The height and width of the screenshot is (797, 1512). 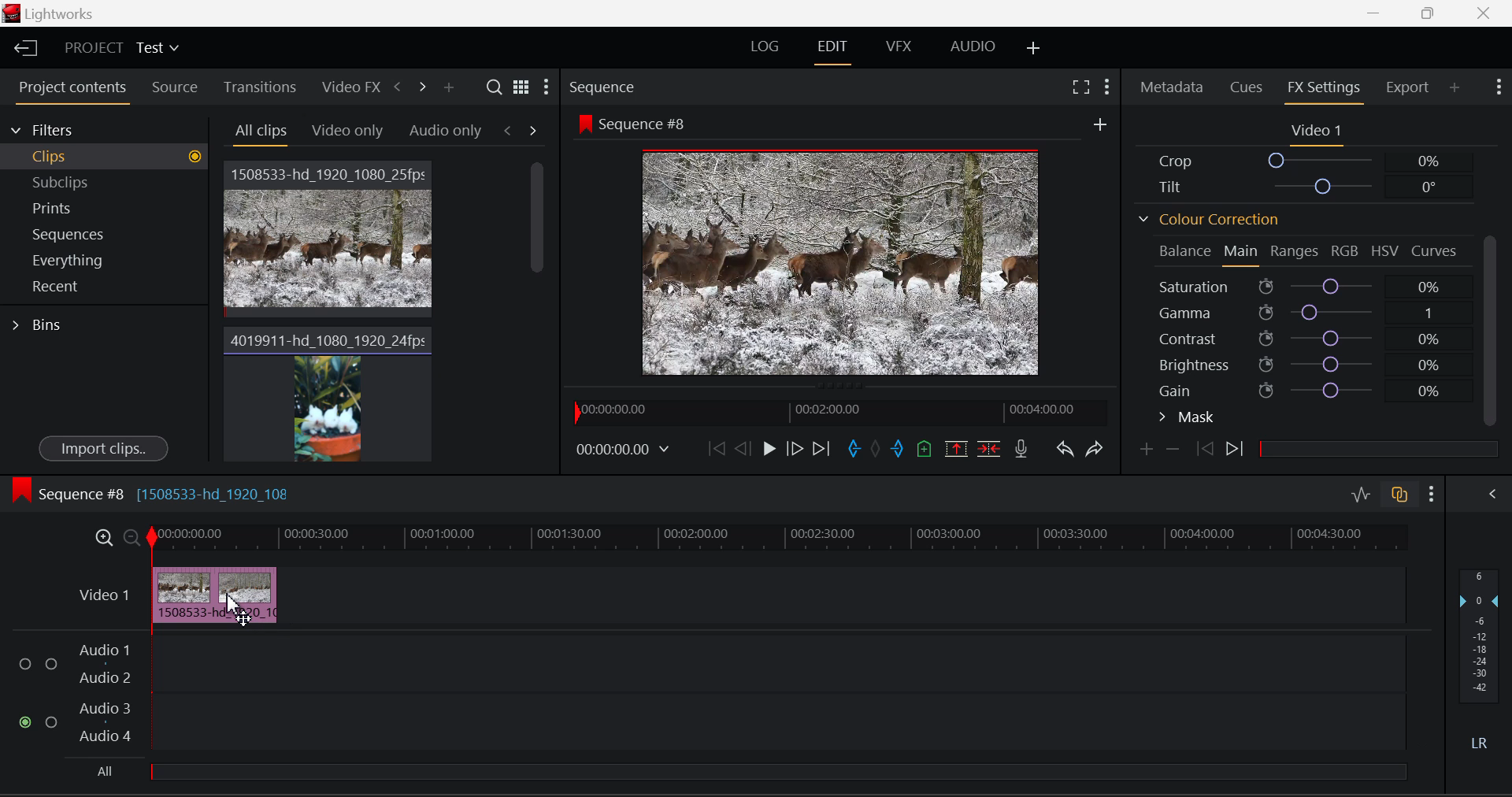 What do you see at coordinates (1304, 161) in the screenshot?
I see `Crop` at bounding box center [1304, 161].